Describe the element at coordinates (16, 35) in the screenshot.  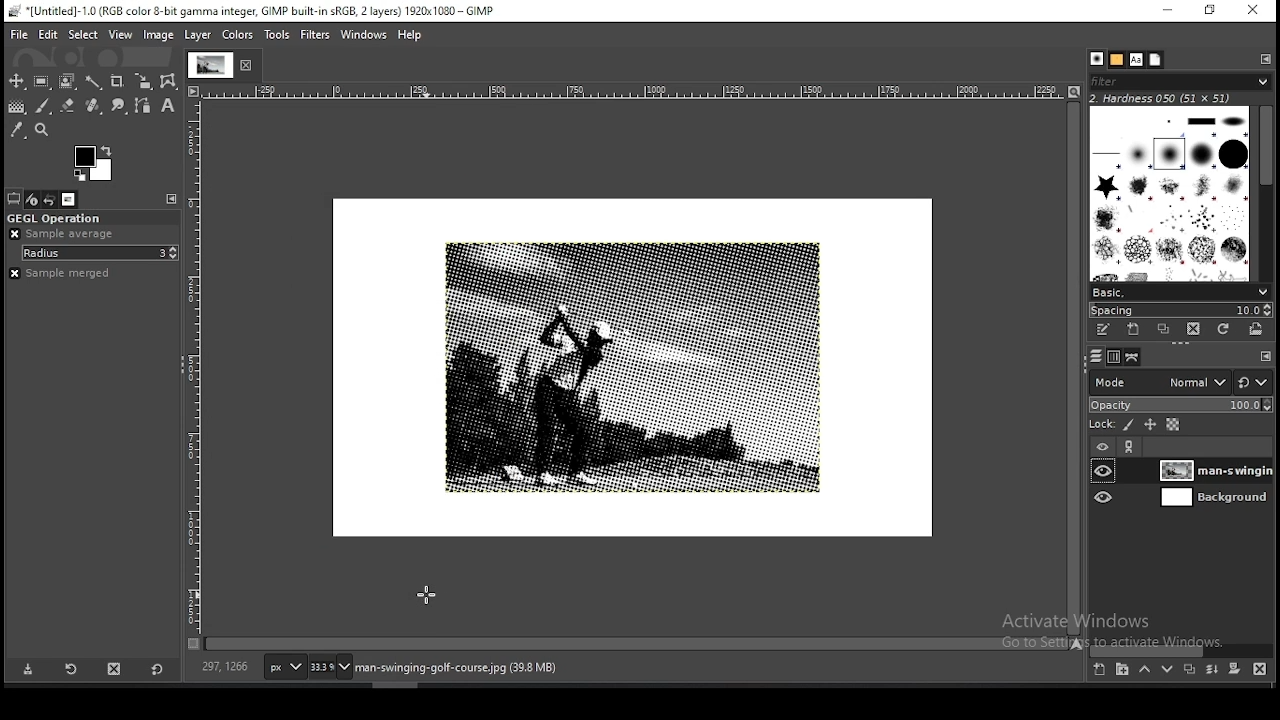
I see `file` at that location.